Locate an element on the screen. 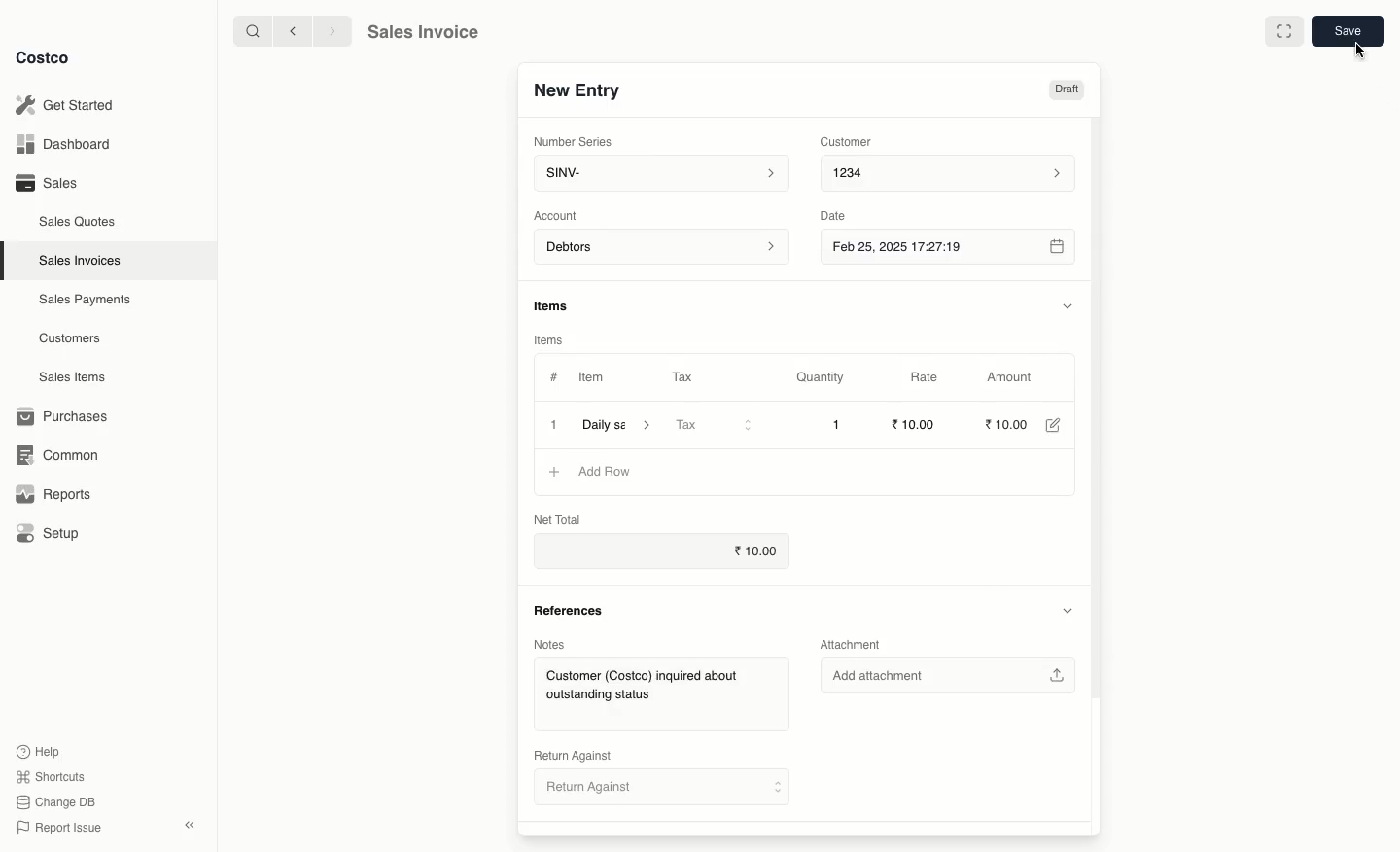  10.00 is located at coordinates (916, 424).